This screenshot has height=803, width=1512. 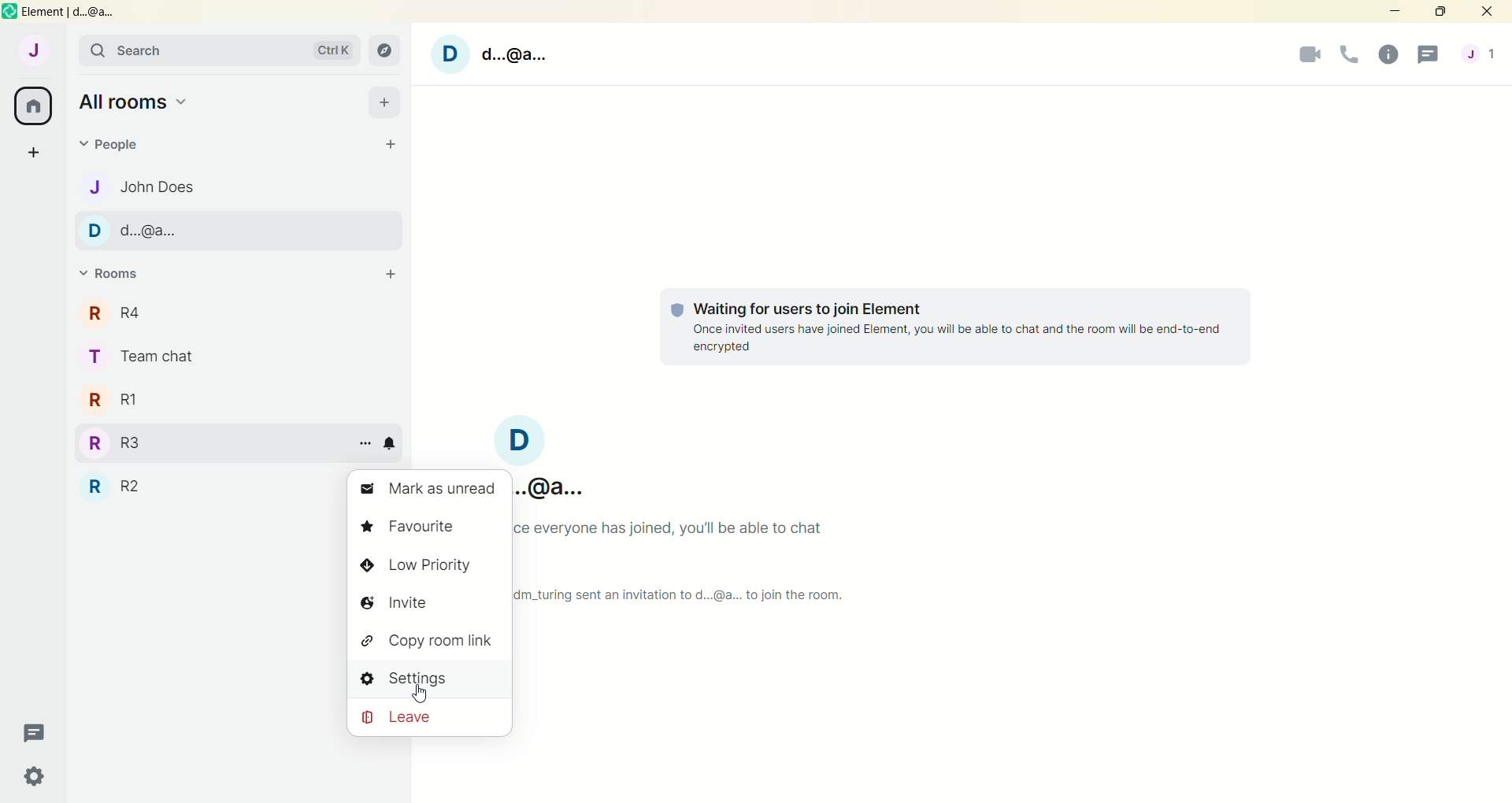 What do you see at coordinates (1306, 55) in the screenshot?
I see `video call` at bounding box center [1306, 55].